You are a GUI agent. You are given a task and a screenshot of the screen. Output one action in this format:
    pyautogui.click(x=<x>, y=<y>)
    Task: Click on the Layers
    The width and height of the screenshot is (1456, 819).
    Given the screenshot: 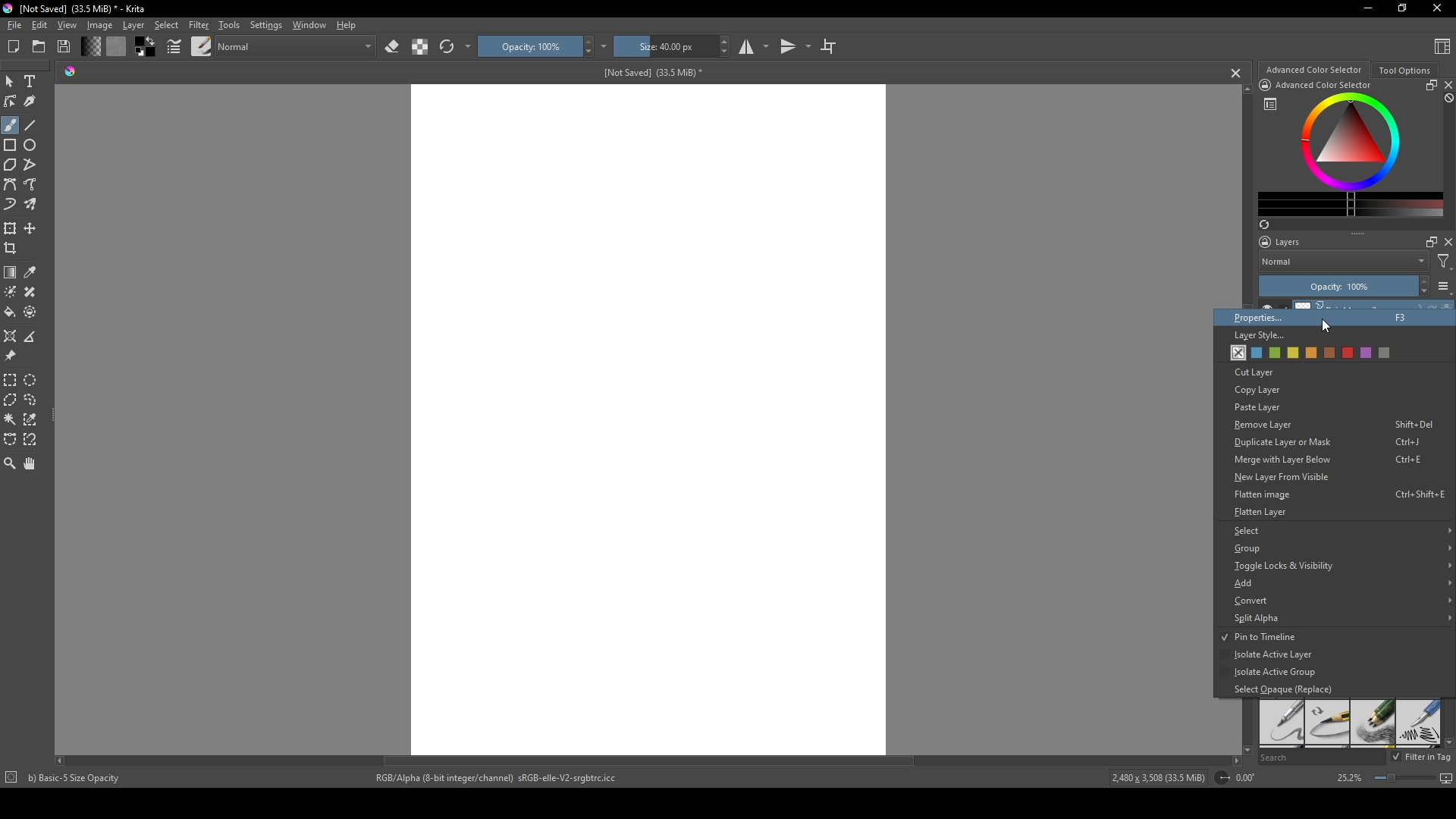 What is the action you would take?
    pyautogui.click(x=1284, y=242)
    